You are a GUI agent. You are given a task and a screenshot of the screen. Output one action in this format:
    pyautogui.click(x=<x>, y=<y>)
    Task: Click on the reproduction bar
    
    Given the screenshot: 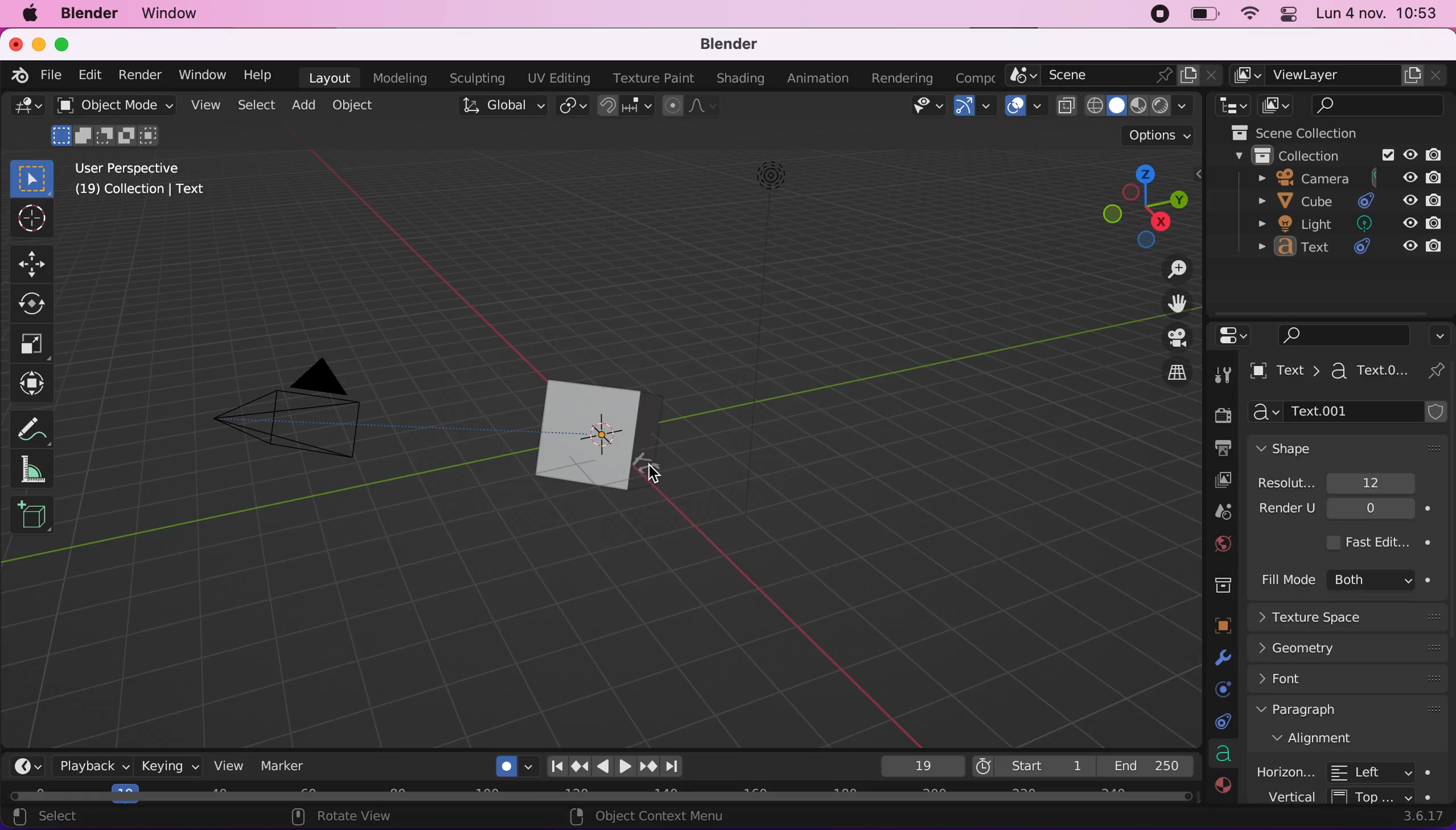 What is the action you would take?
    pyautogui.click(x=621, y=762)
    